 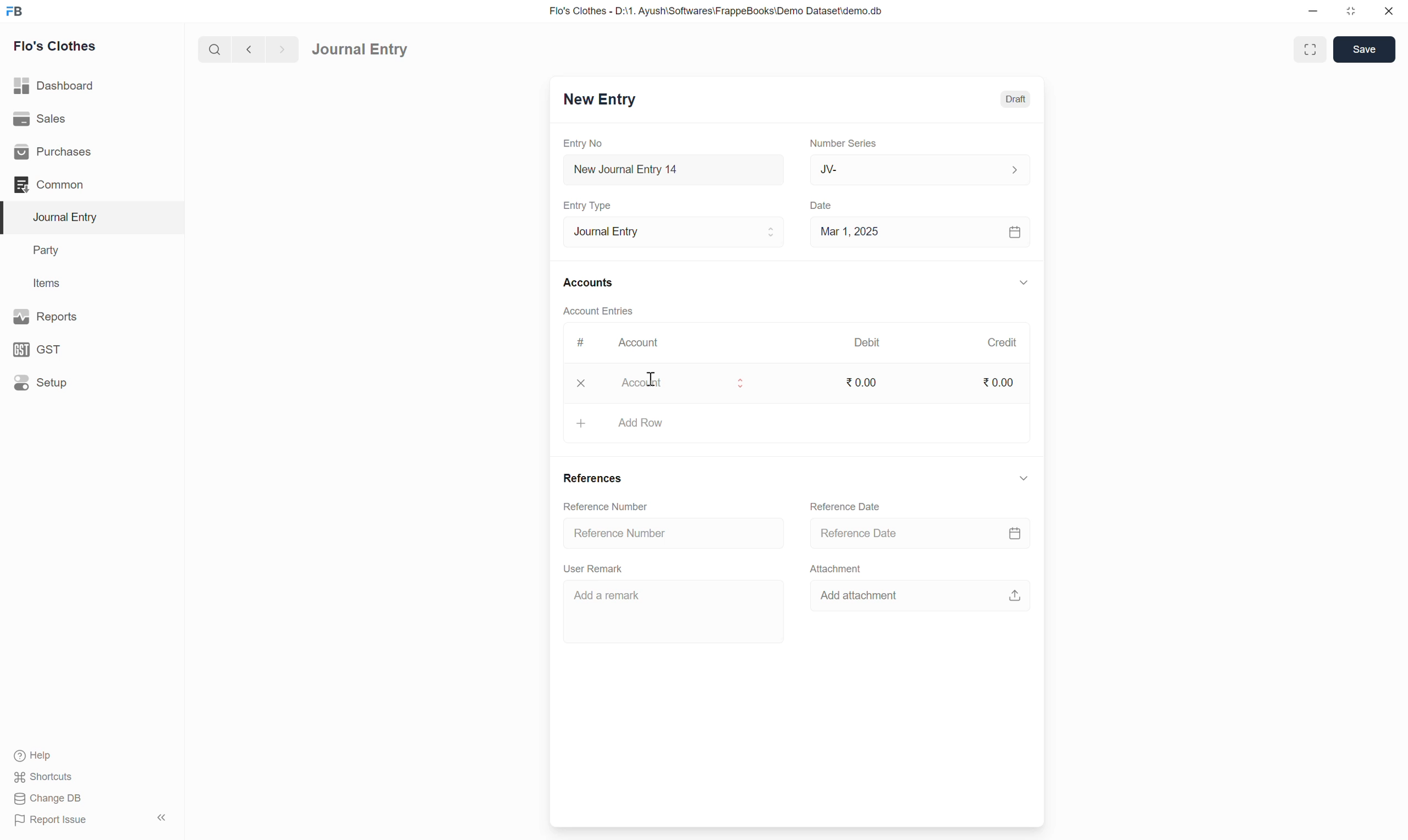 I want to click on Account Entries, so click(x=599, y=310).